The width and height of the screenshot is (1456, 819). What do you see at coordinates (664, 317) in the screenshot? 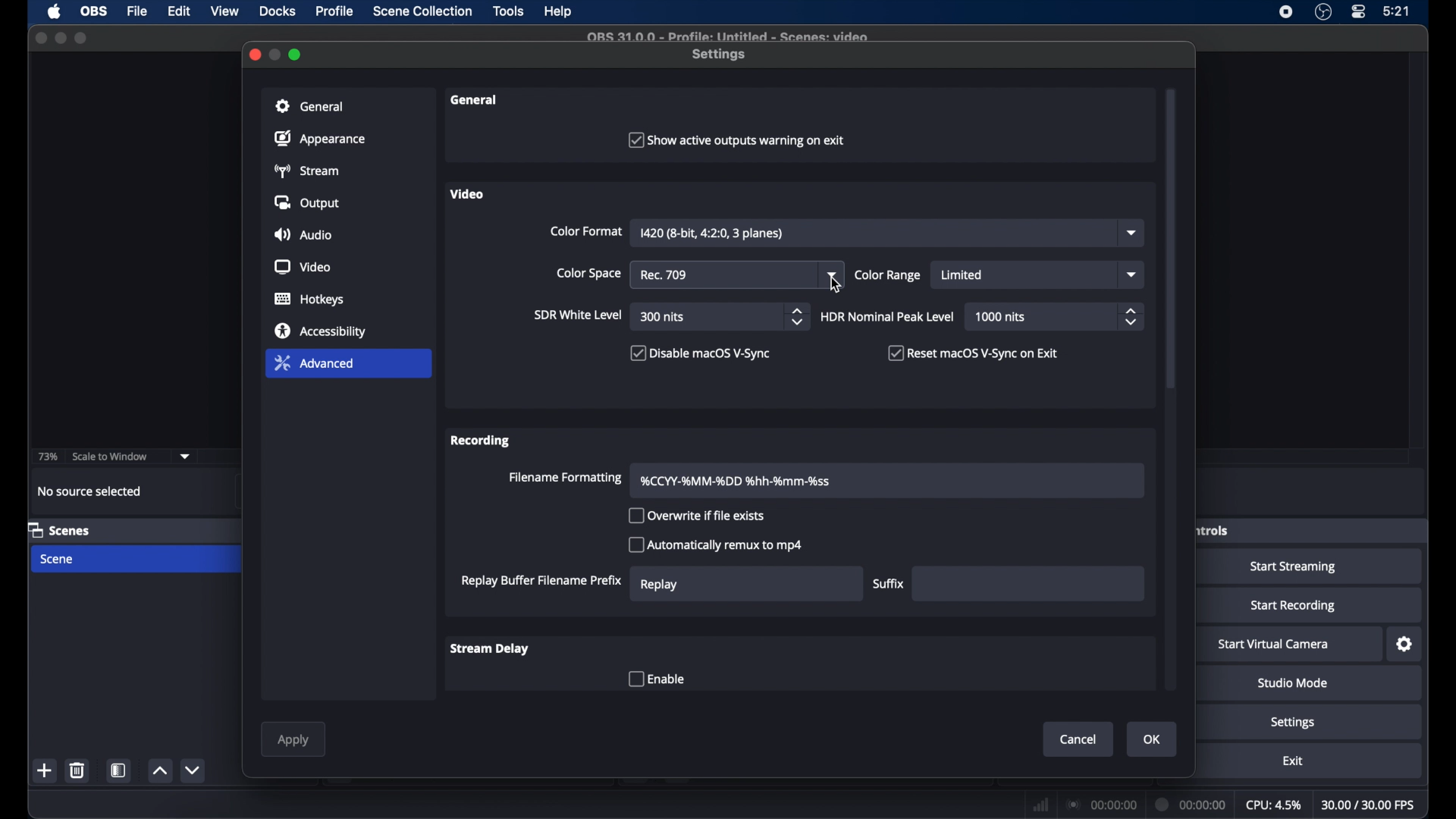
I see `300 nits` at bounding box center [664, 317].